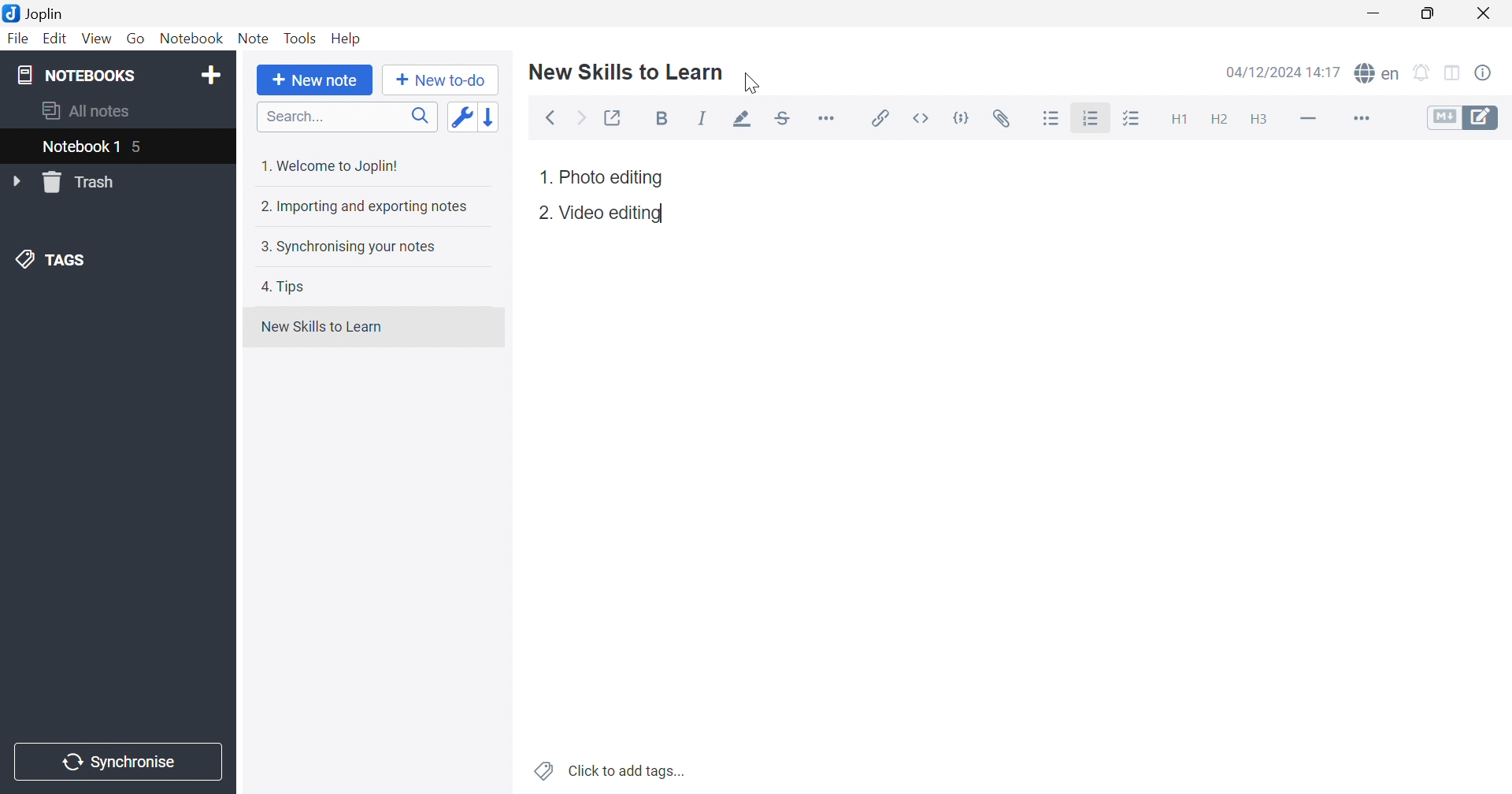 The width and height of the screenshot is (1512, 794). Describe the element at coordinates (78, 146) in the screenshot. I see `Notebook1` at that location.